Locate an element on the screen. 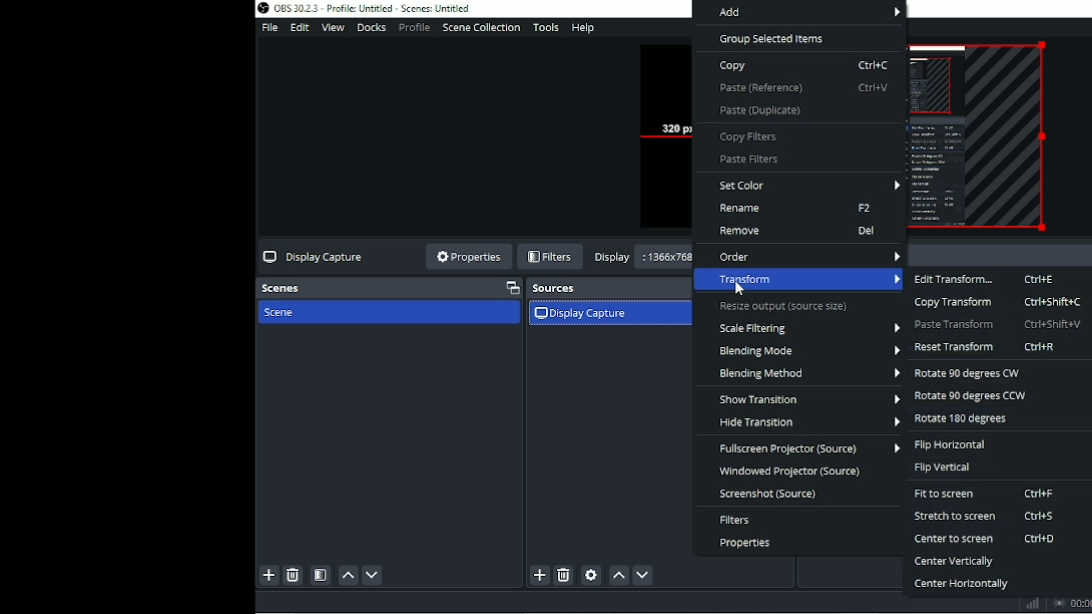 This screenshot has height=614, width=1092. Blending mode is located at coordinates (806, 350).